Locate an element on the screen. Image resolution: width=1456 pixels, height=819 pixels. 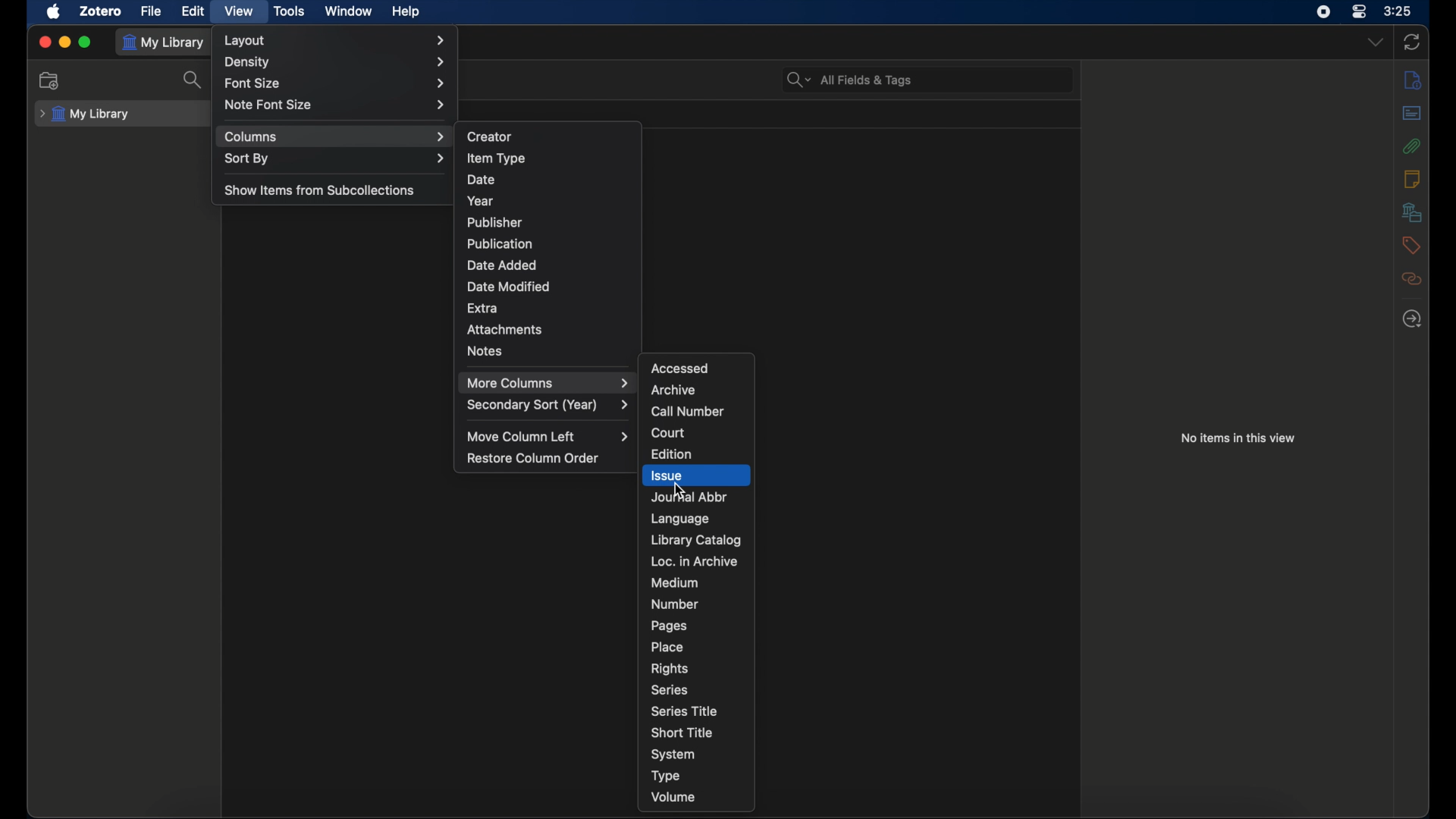
maximize is located at coordinates (86, 42).